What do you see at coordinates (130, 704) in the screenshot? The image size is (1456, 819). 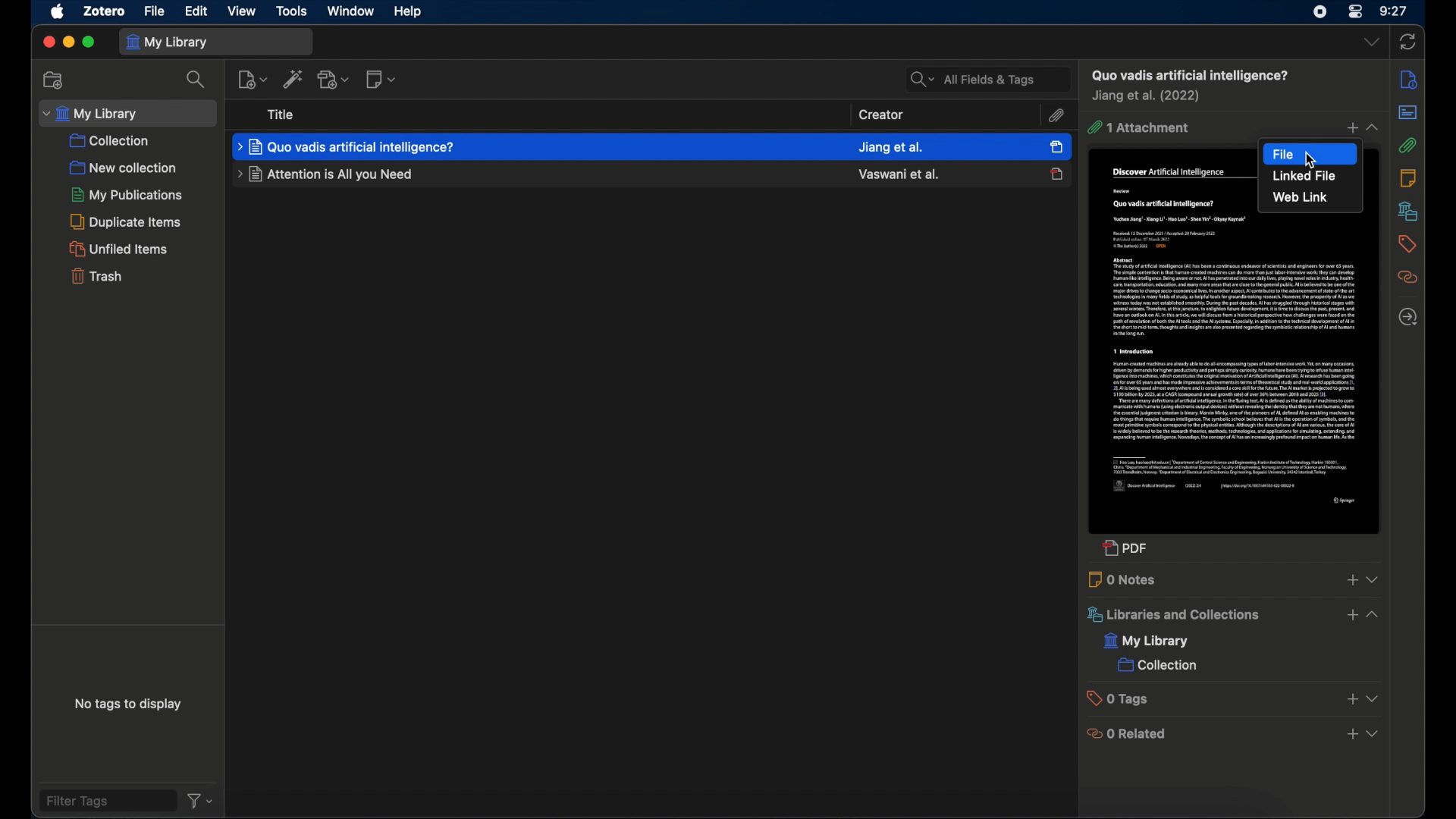 I see `no tags to display` at bounding box center [130, 704].